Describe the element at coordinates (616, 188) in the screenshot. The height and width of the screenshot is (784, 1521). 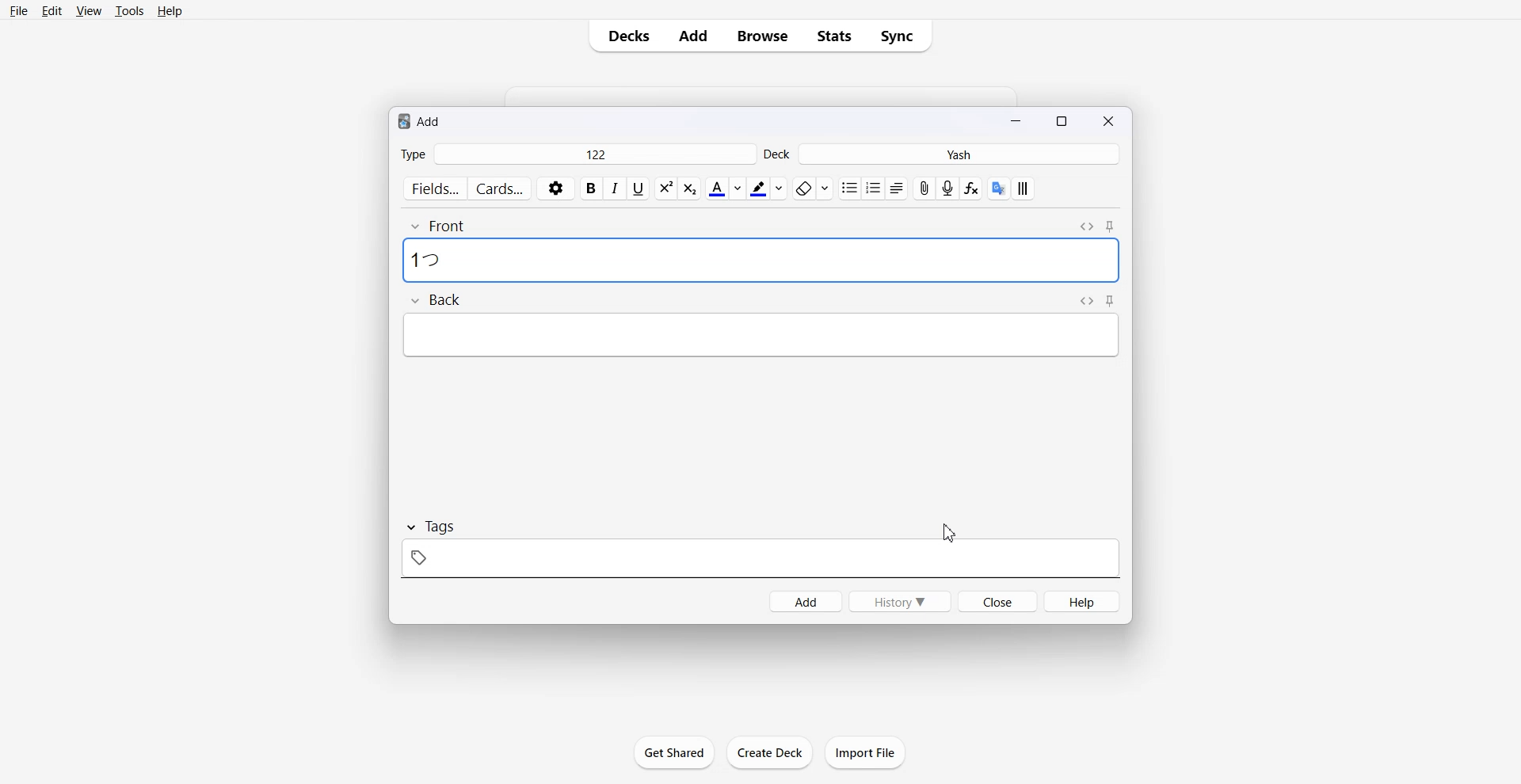
I see `Italic` at that location.